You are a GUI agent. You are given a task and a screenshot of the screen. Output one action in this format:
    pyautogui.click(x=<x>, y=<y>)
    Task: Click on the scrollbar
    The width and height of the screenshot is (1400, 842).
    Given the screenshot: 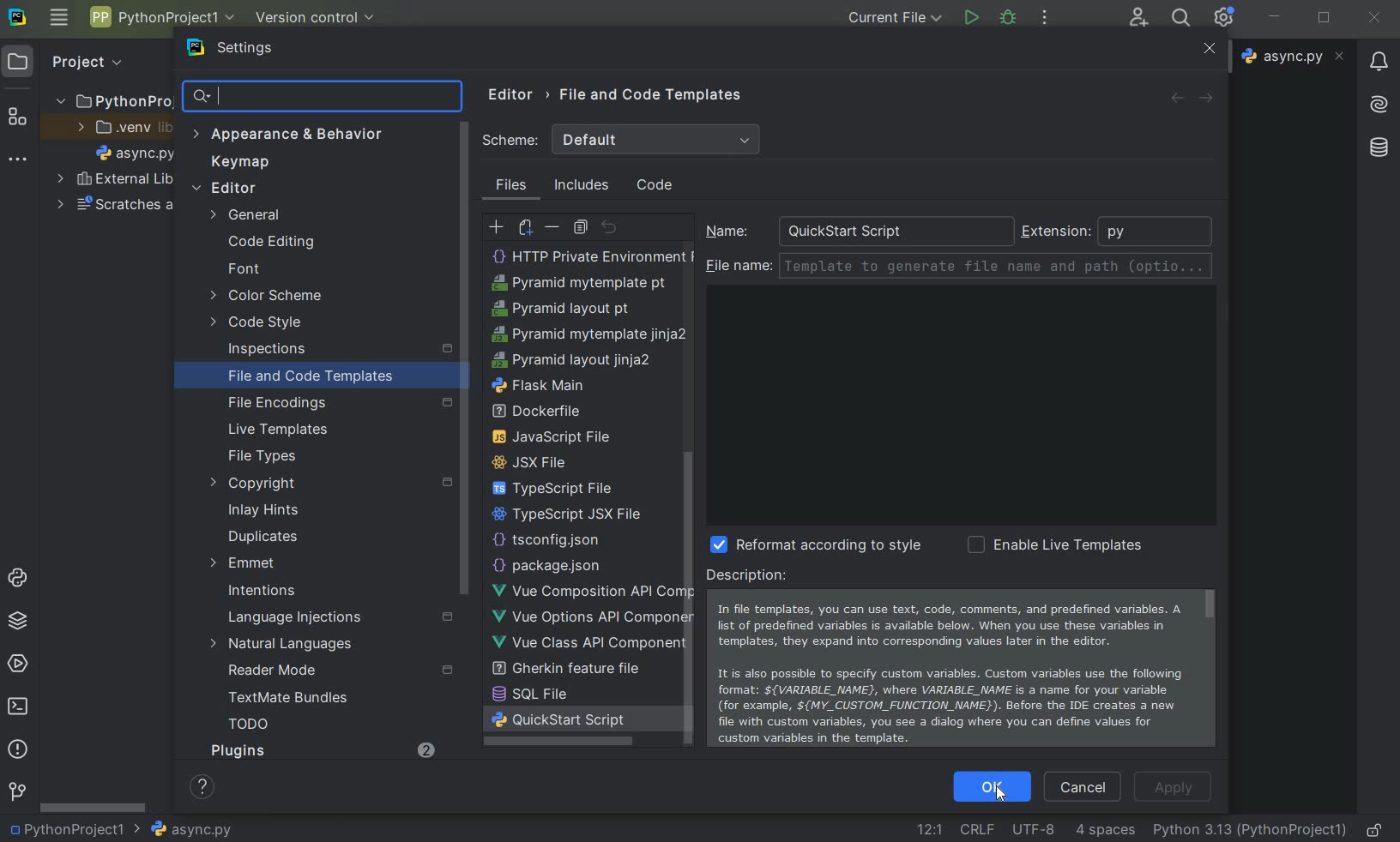 What is the action you would take?
    pyautogui.click(x=466, y=409)
    